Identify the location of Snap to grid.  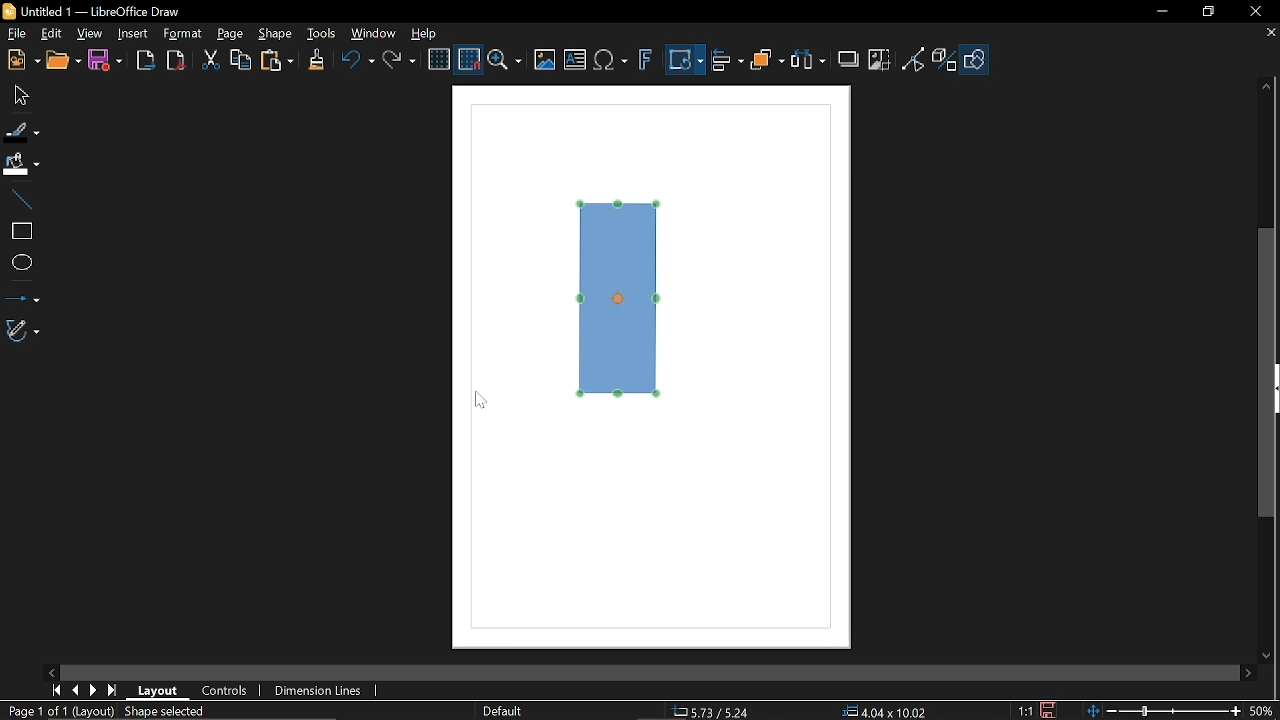
(468, 60).